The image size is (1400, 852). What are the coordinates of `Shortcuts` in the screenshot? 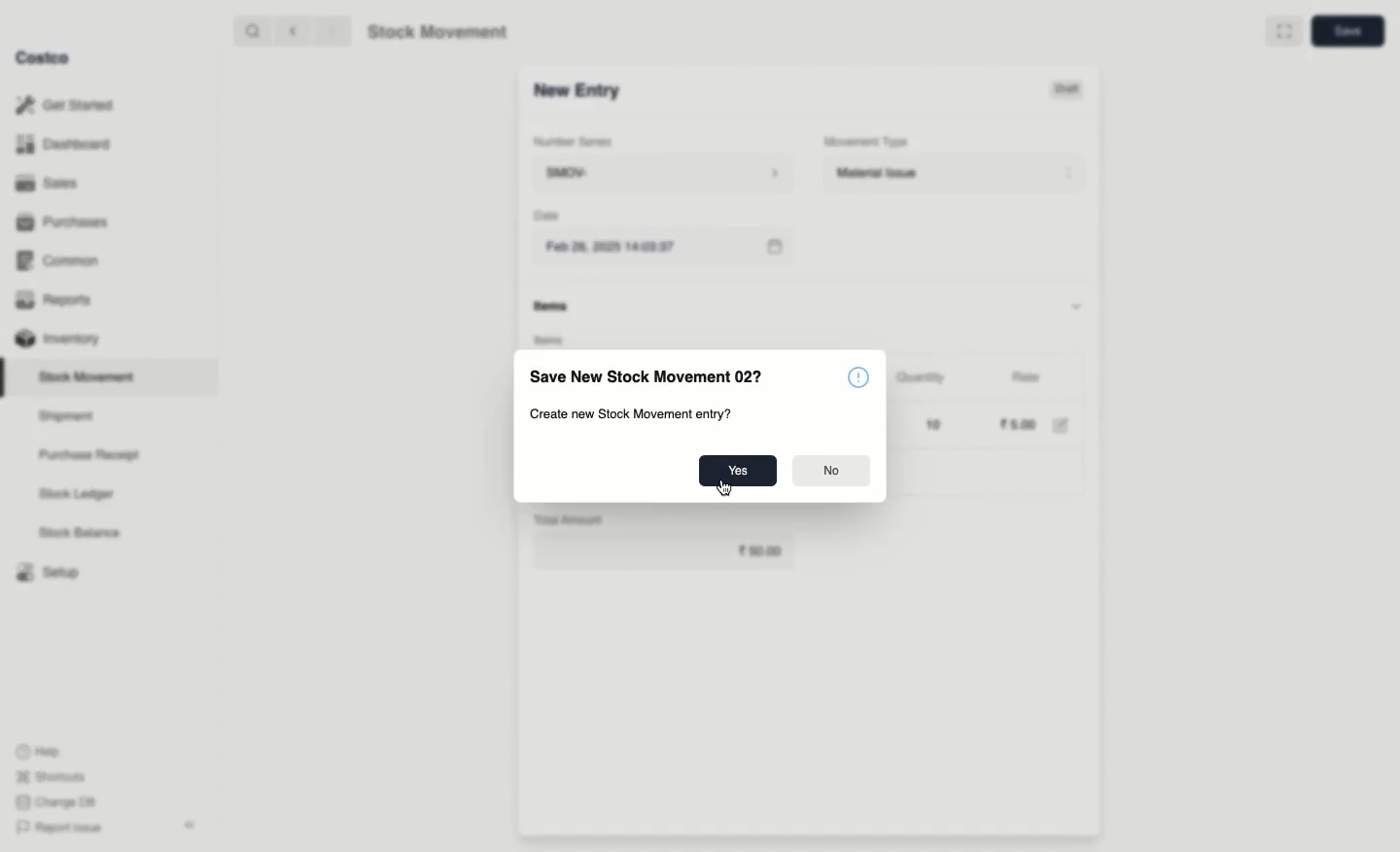 It's located at (51, 774).